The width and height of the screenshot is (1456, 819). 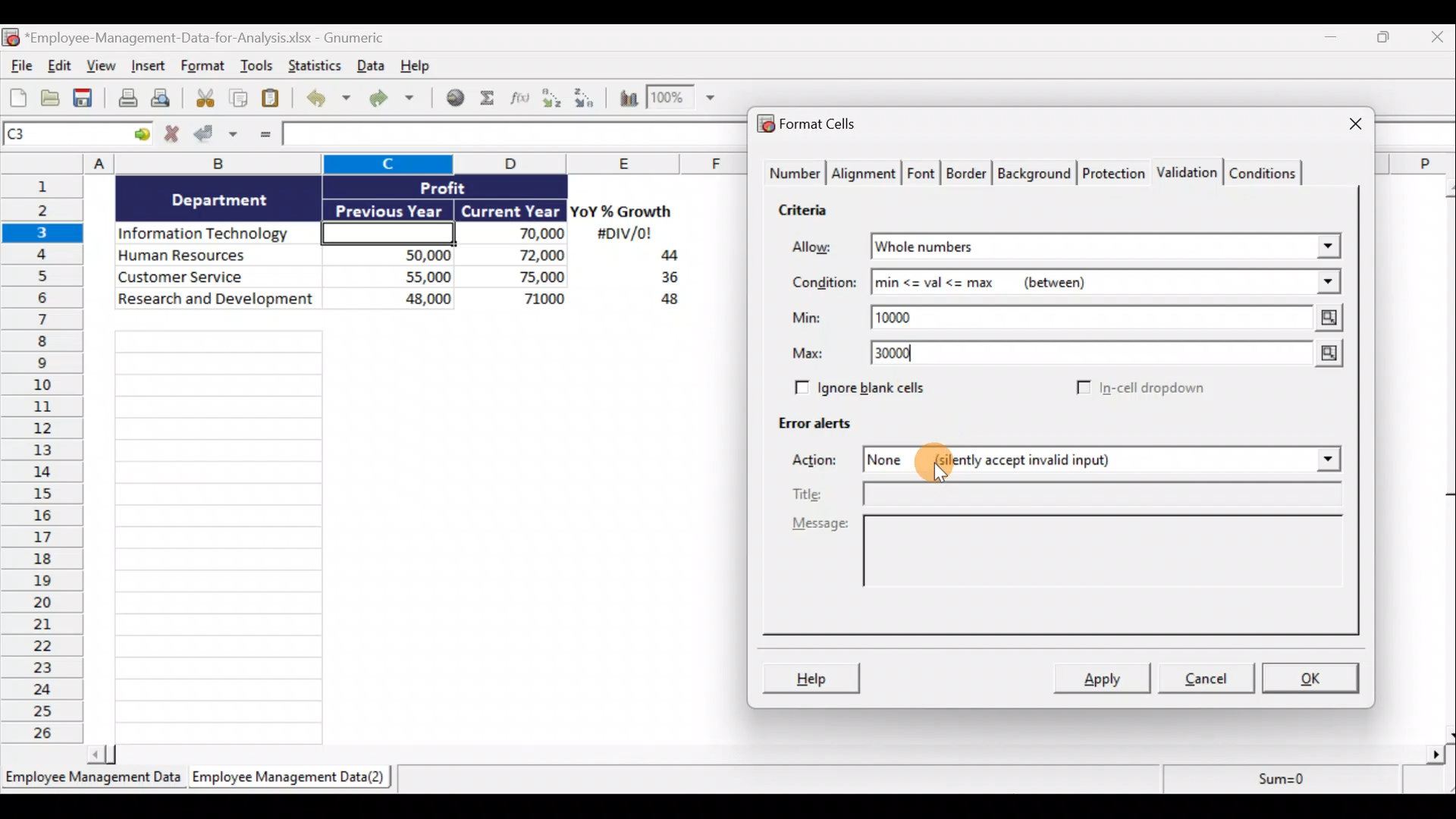 I want to click on Cell name C1, so click(x=64, y=136).